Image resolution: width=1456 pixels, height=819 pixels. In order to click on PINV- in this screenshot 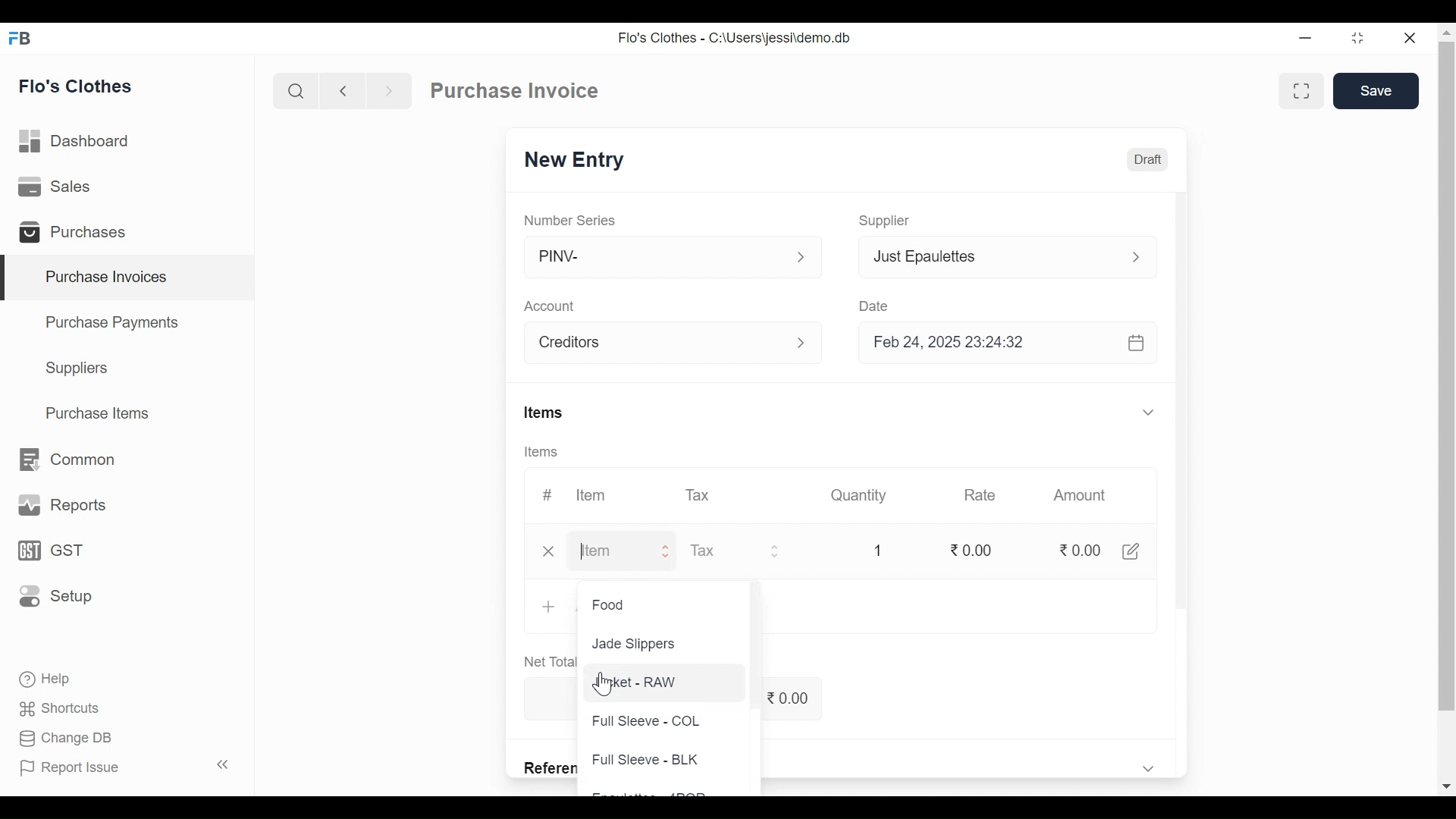, I will do `click(657, 257)`.